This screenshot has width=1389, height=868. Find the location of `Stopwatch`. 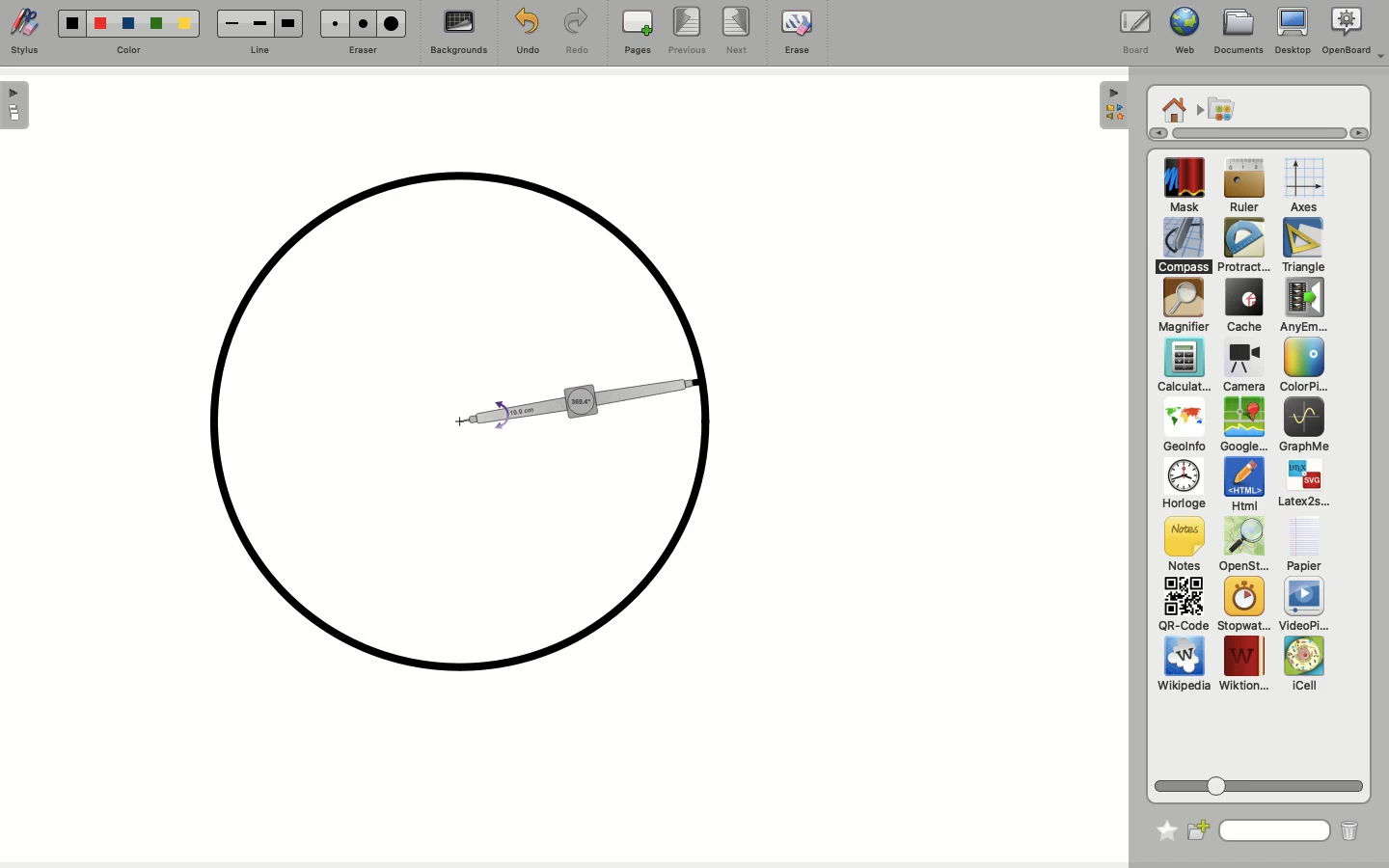

Stopwatch is located at coordinates (1242, 606).